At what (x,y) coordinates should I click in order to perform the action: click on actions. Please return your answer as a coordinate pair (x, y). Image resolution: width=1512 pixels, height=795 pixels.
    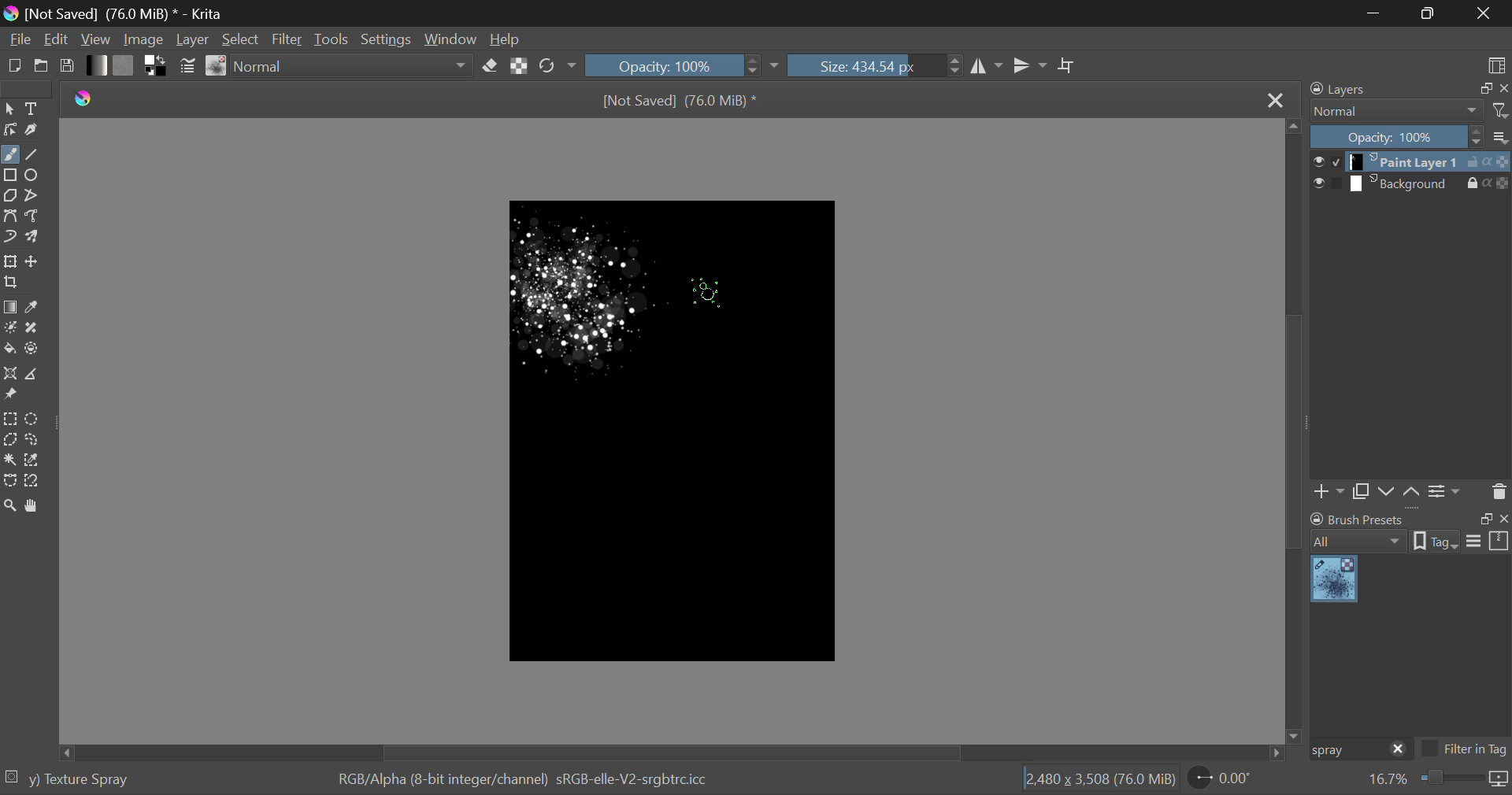
    Looking at the image, I should click on (1488, 183).